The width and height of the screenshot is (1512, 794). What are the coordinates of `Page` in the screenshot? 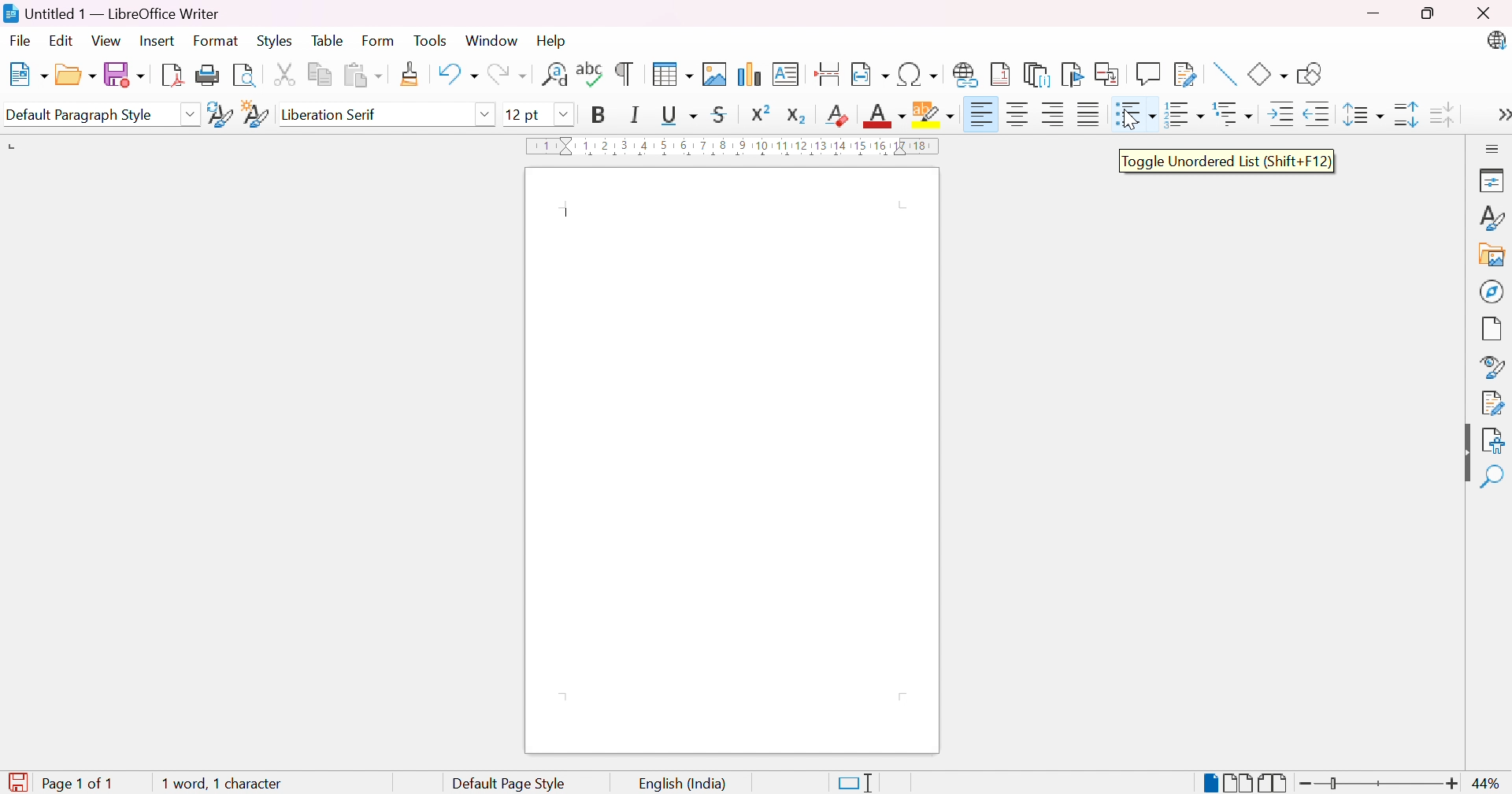 It's located at (1492, 328).